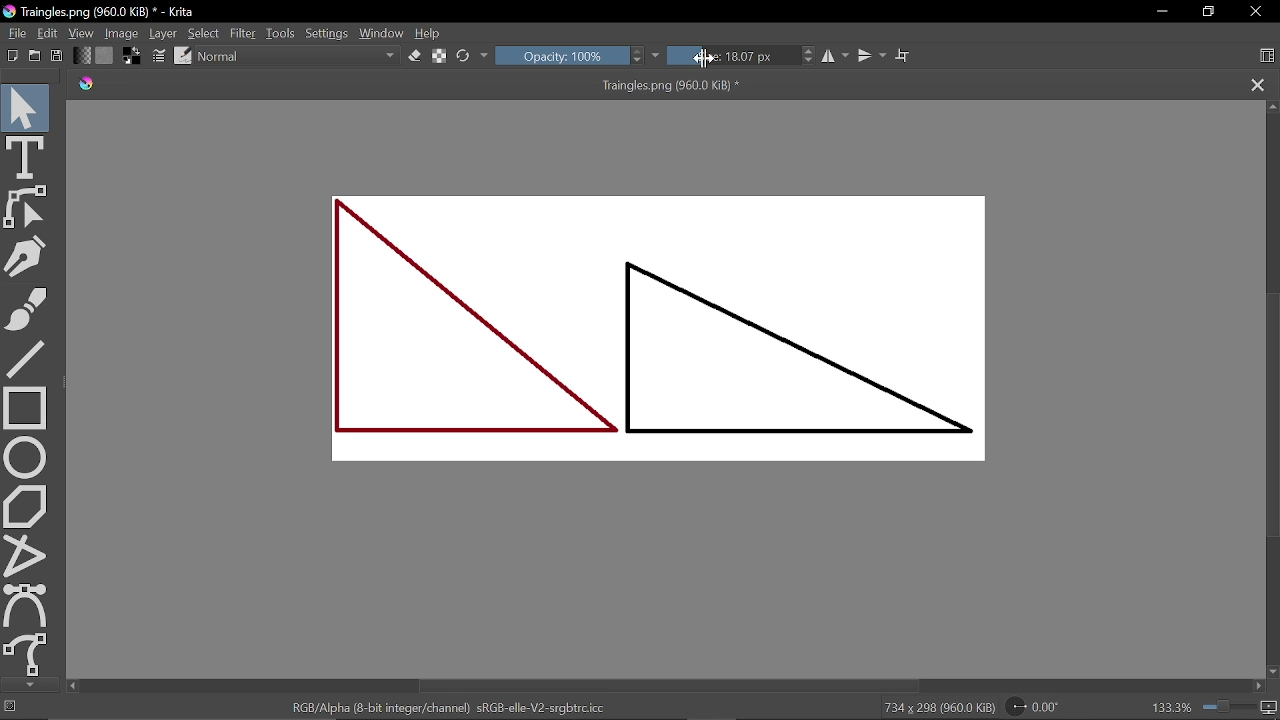 The height and width of the screenshot is (720, 1280). What do you see at coordinates (162, 33) in the screenshot?
I see `Layer` at bounding box center [162, 33].